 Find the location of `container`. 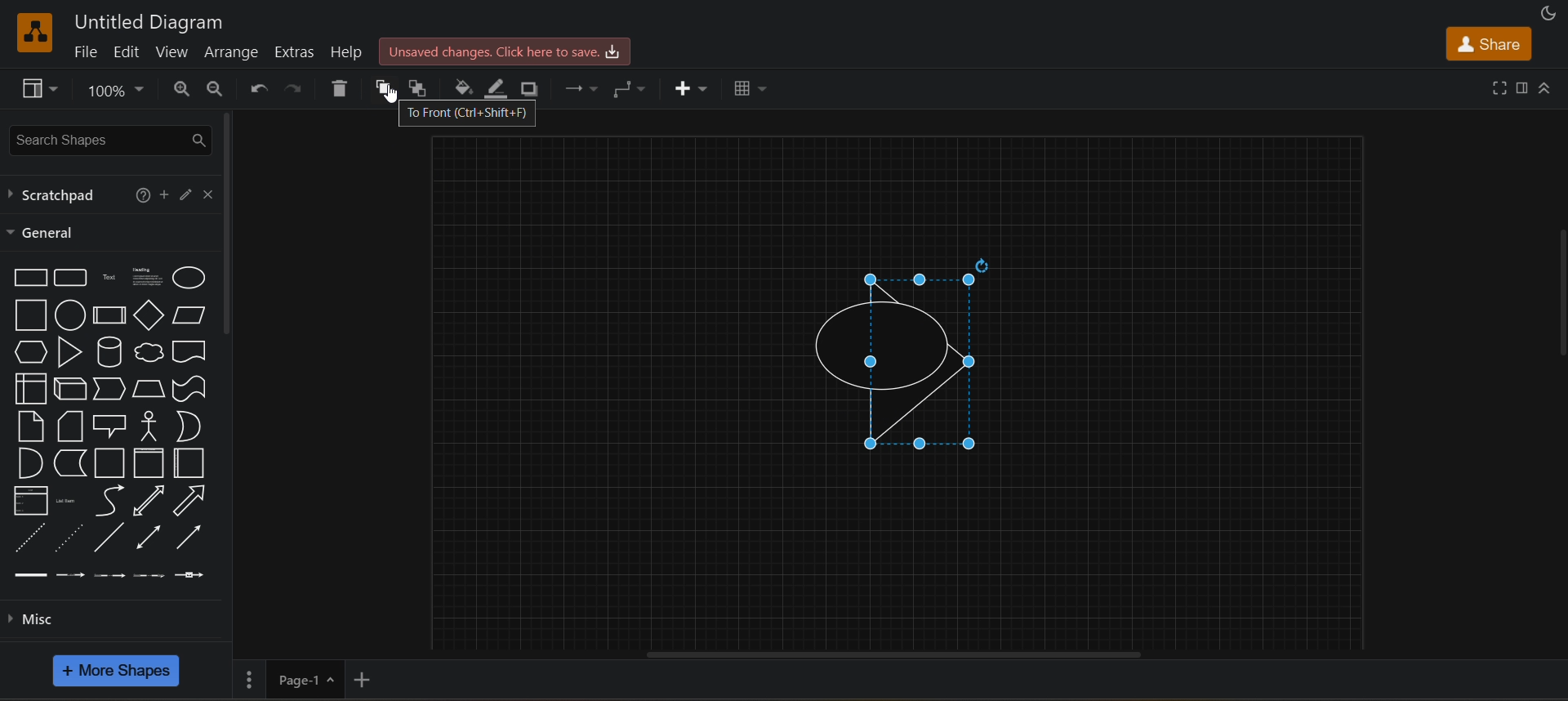

container is located at coordinates (189, 462).